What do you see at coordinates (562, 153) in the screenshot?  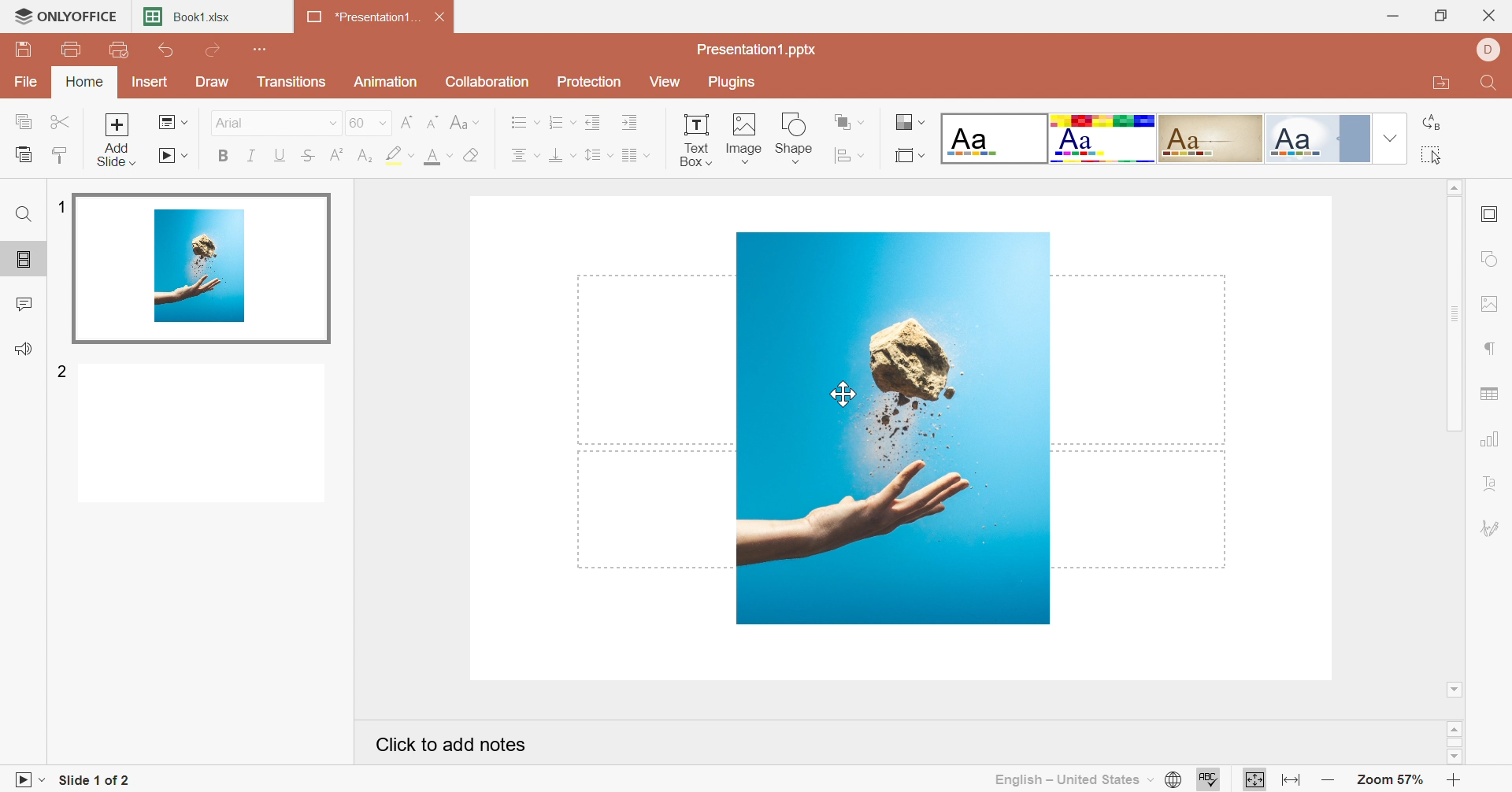 I see `Vertical align` at bounding box center [562, 153].